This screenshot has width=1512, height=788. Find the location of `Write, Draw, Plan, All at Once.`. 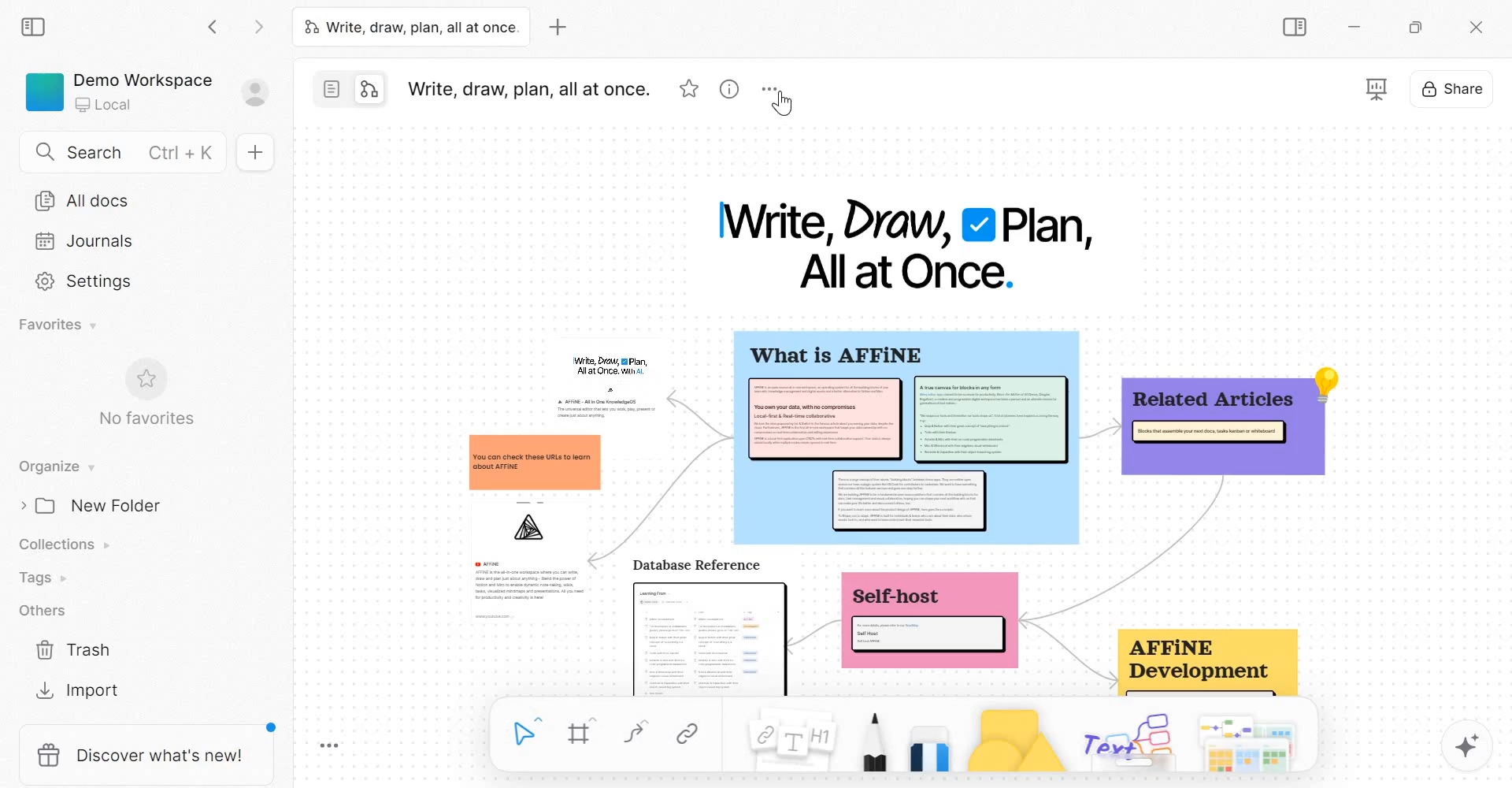

Write, Draw, Plan, All at Once. is located at coordinates (909, 244).